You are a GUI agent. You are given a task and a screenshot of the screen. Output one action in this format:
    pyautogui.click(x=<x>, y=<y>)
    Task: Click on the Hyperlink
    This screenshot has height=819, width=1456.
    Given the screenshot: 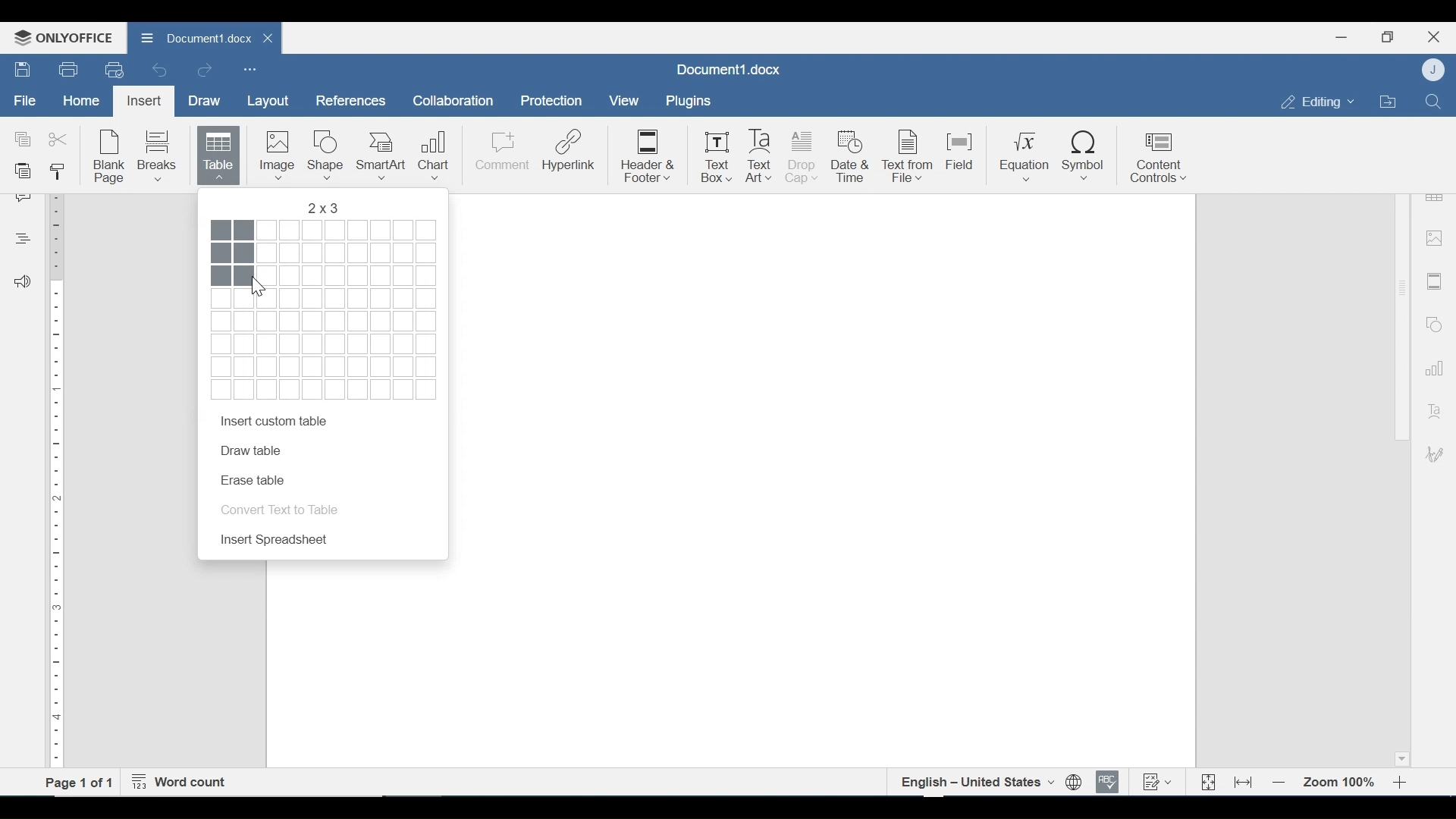 What is the action you would take?
    pyautogui.click(x=571, y=158)
    